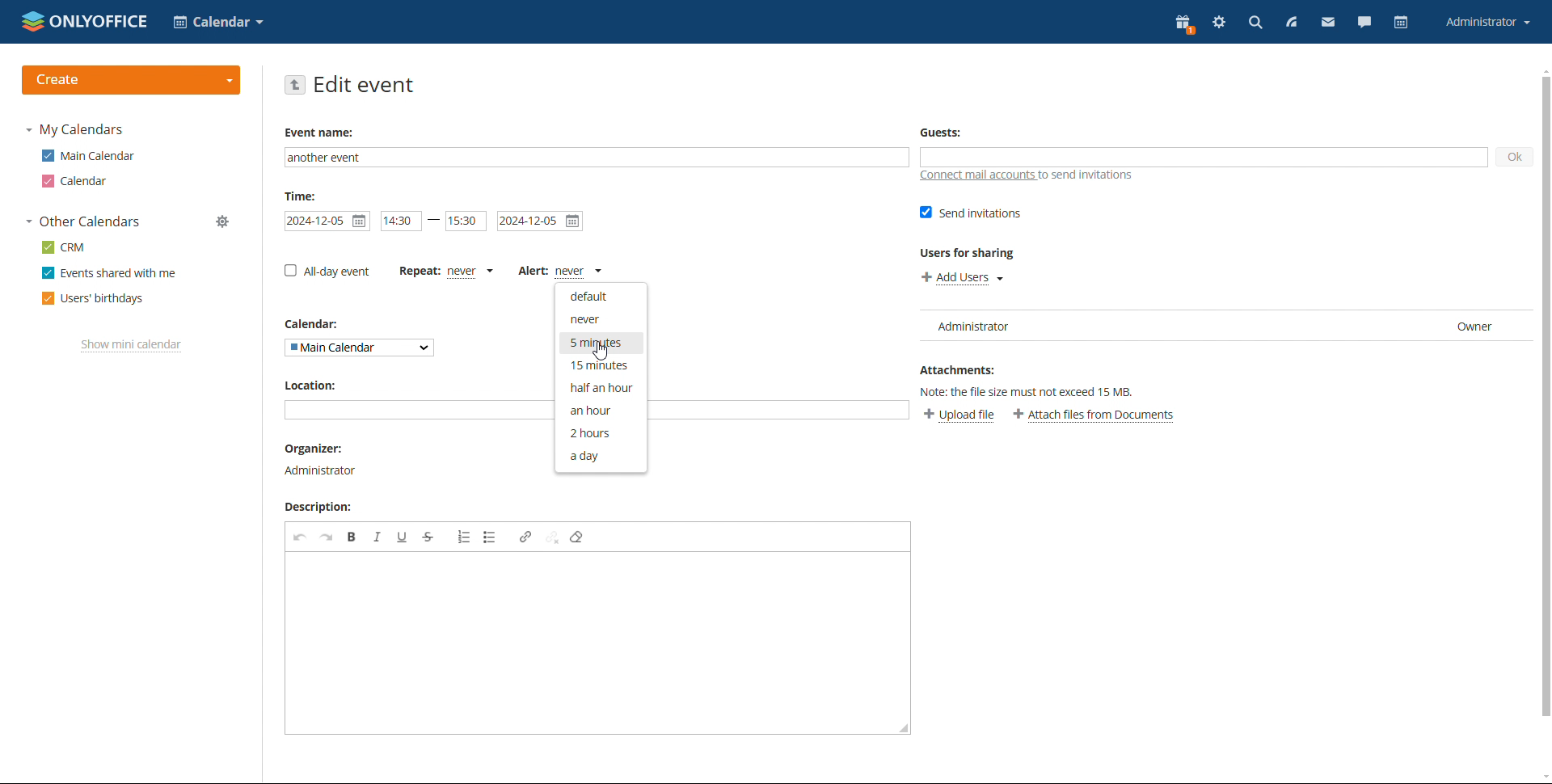 The width and height of the screenshot is (1552, 784). Describe the element at coordinates (1290, 23) in the screenshot. I see `feed` at that location.